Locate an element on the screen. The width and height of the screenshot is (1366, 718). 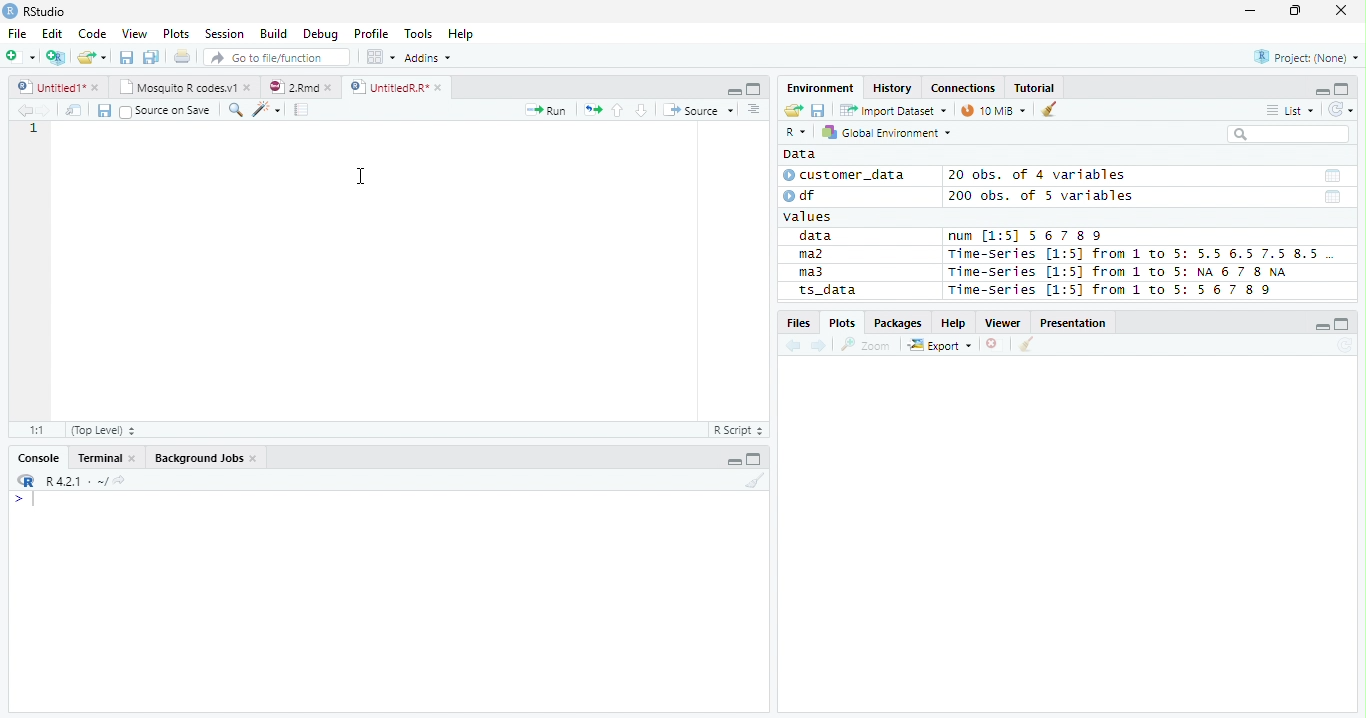
Packages is located at coordinates (897, 324).